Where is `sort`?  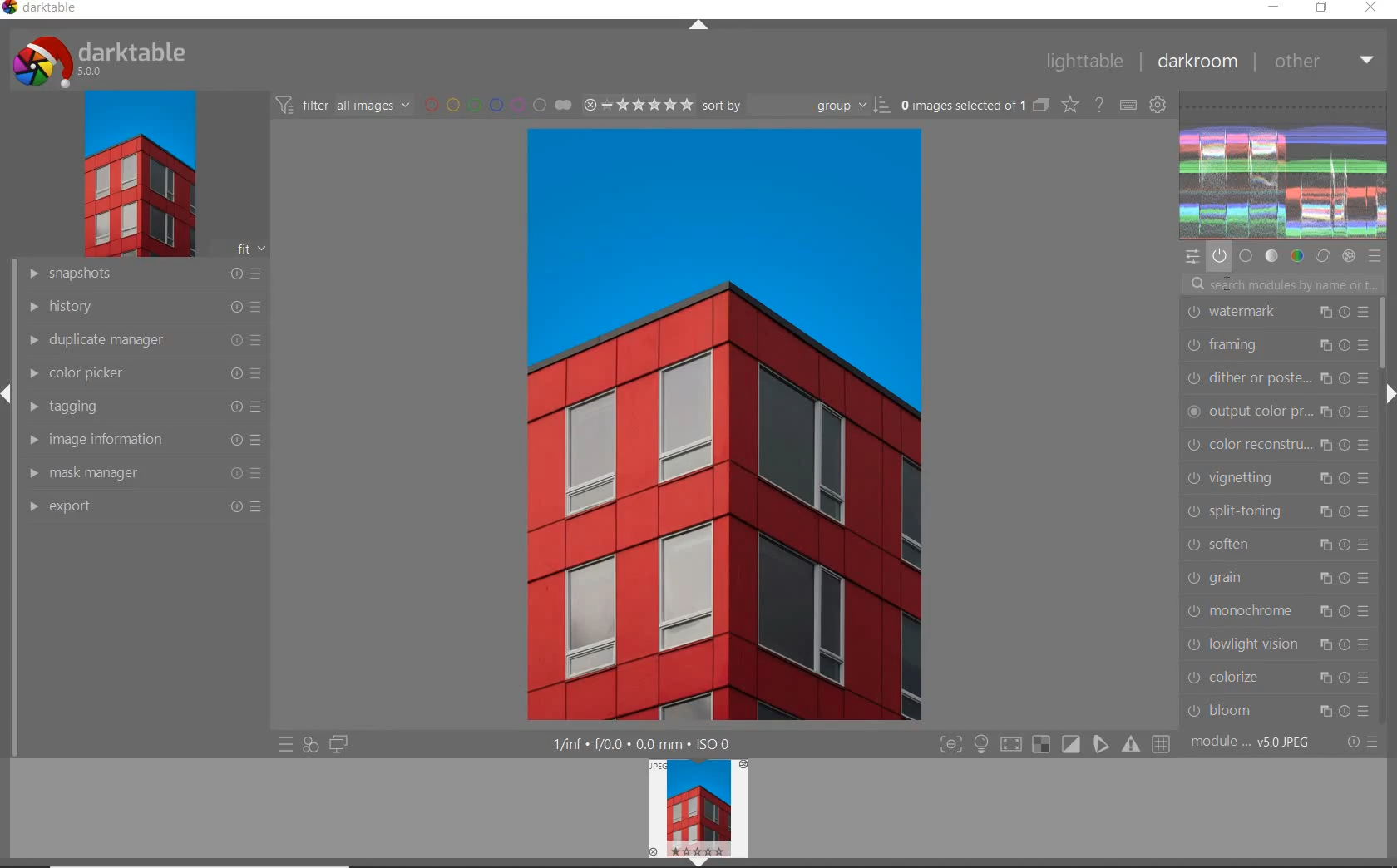
sort is located at coordinates (796, 104).